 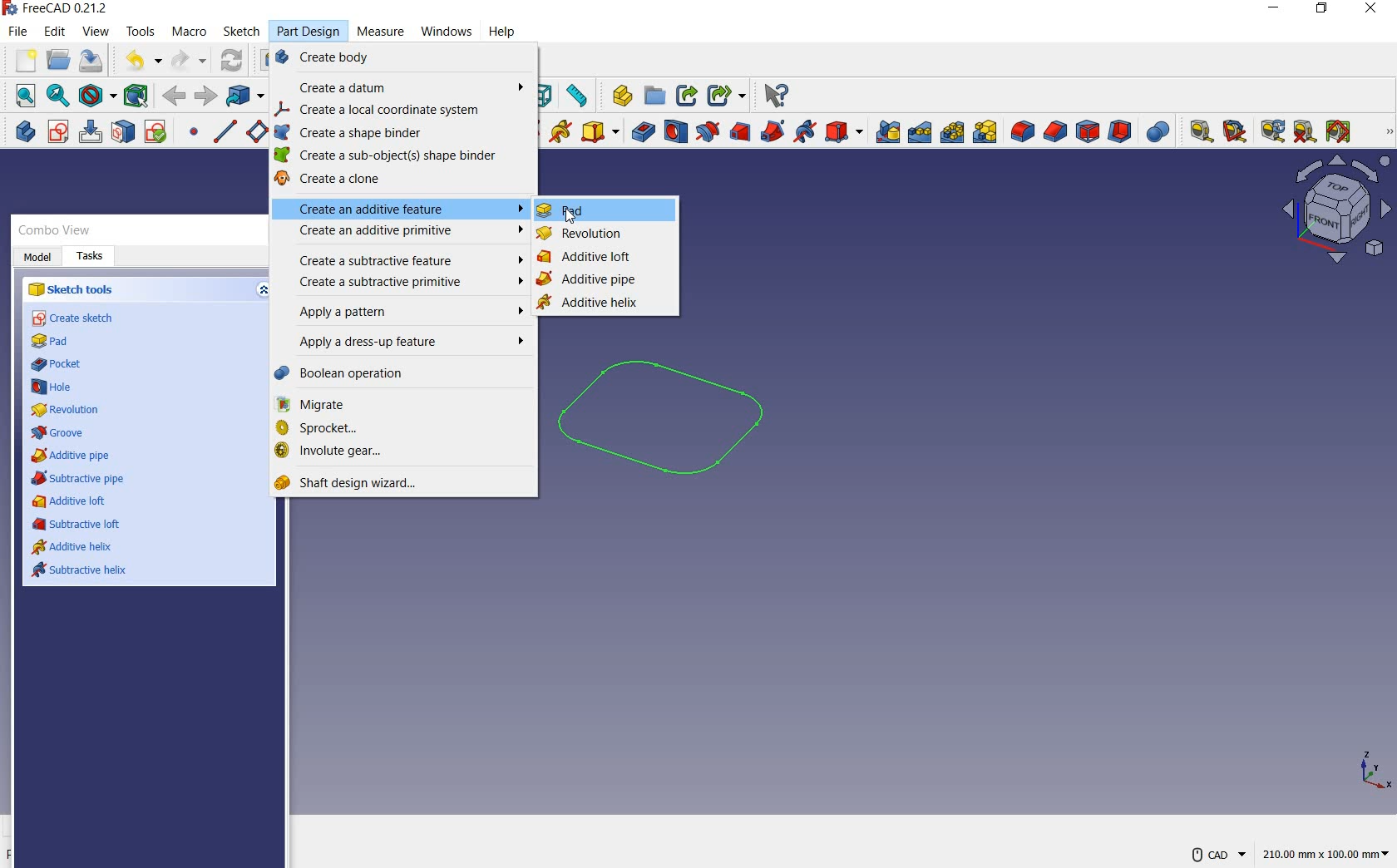 I want to click on create a subtractive primitive, so click(x=846, y=131).